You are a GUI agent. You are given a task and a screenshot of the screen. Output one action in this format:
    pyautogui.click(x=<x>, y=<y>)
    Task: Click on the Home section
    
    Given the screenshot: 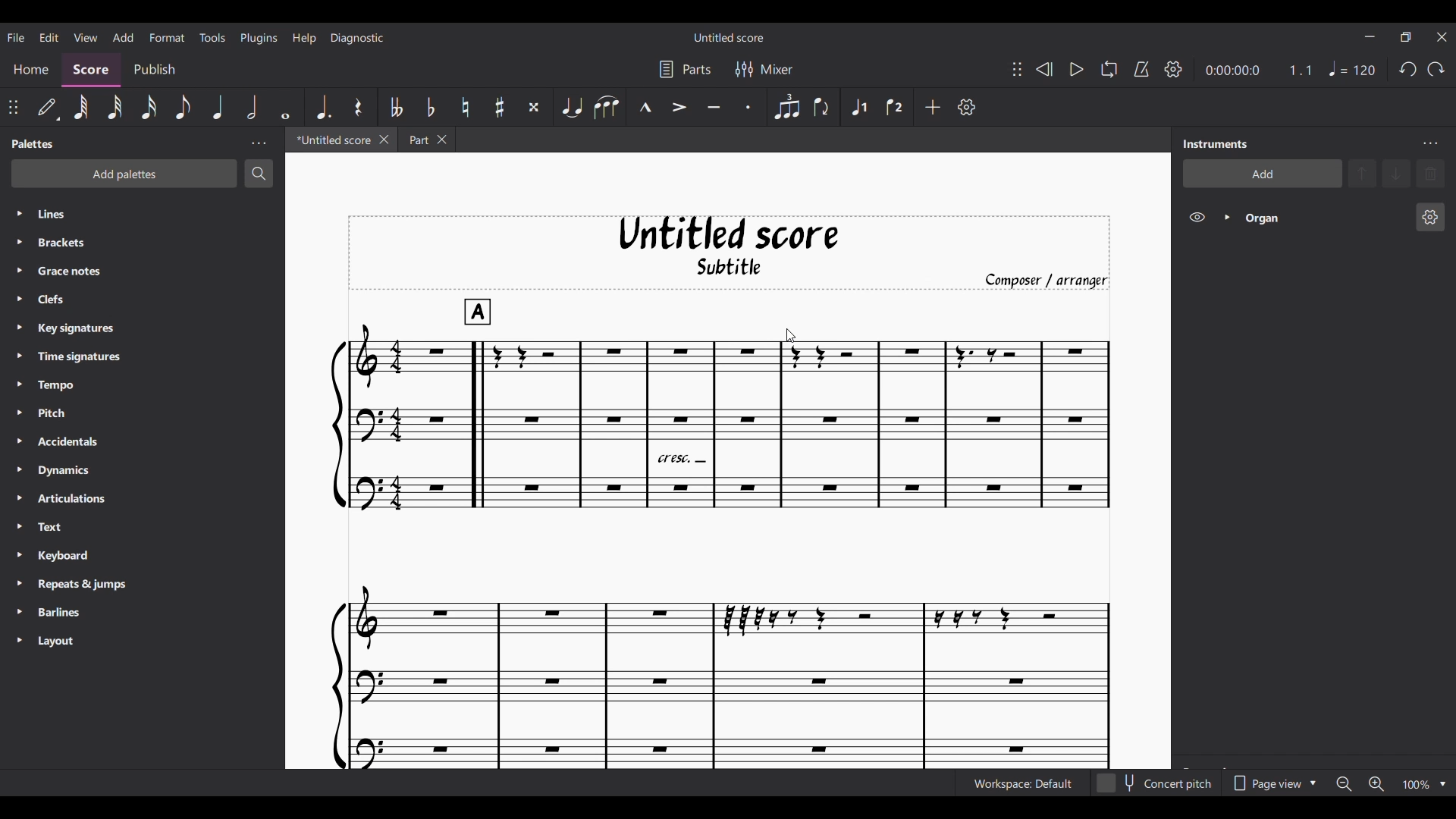 What is the action you would take?
    pyautogui.click(x=31, y=68)
    